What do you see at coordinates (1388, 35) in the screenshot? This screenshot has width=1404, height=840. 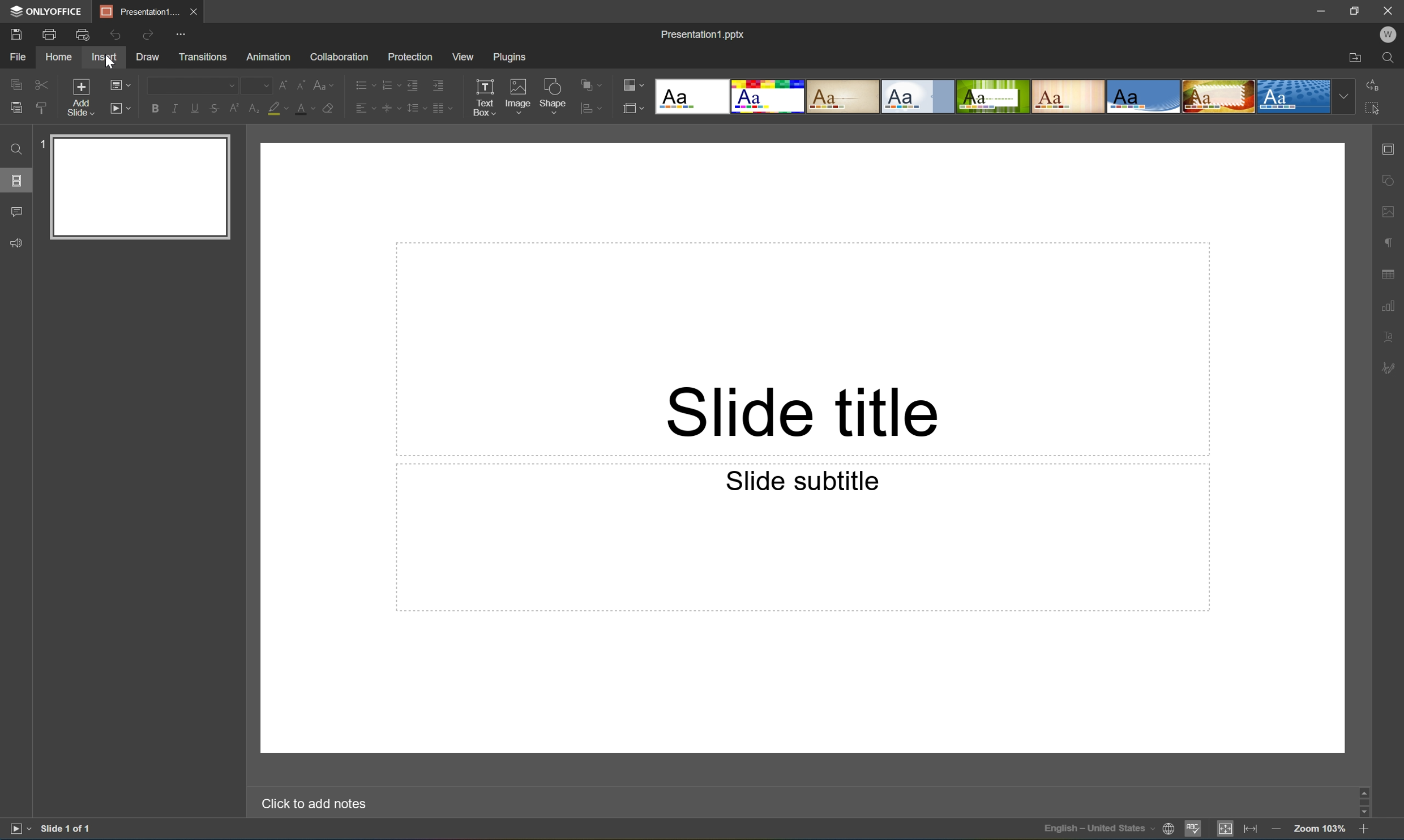 I see `W` at bounding box center [1388, 35].